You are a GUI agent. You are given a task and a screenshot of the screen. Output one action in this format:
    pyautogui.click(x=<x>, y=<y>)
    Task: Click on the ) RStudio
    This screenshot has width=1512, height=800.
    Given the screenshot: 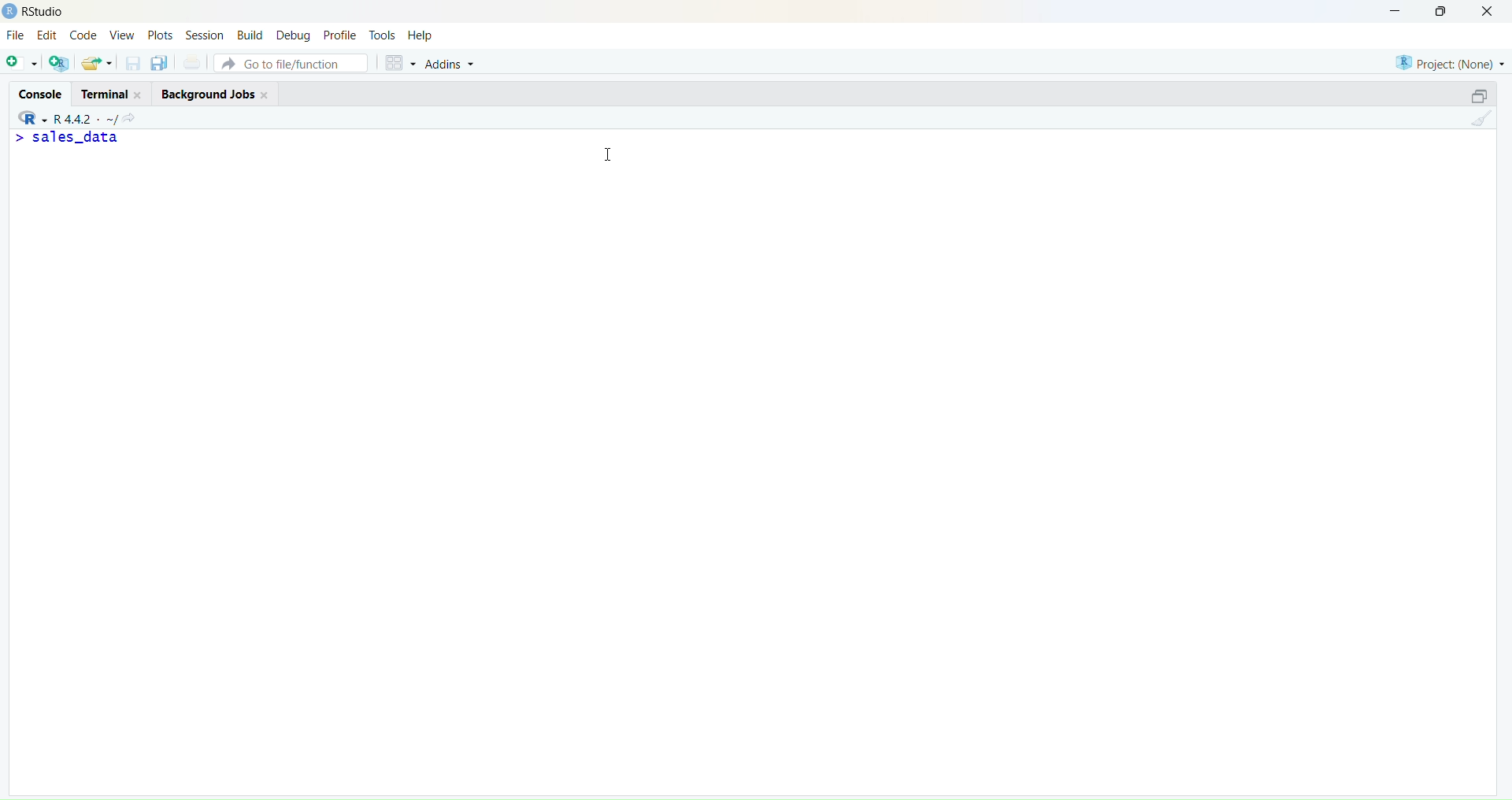 What is the action you would take?
    pyautogui.click(x=40, y=9)
    